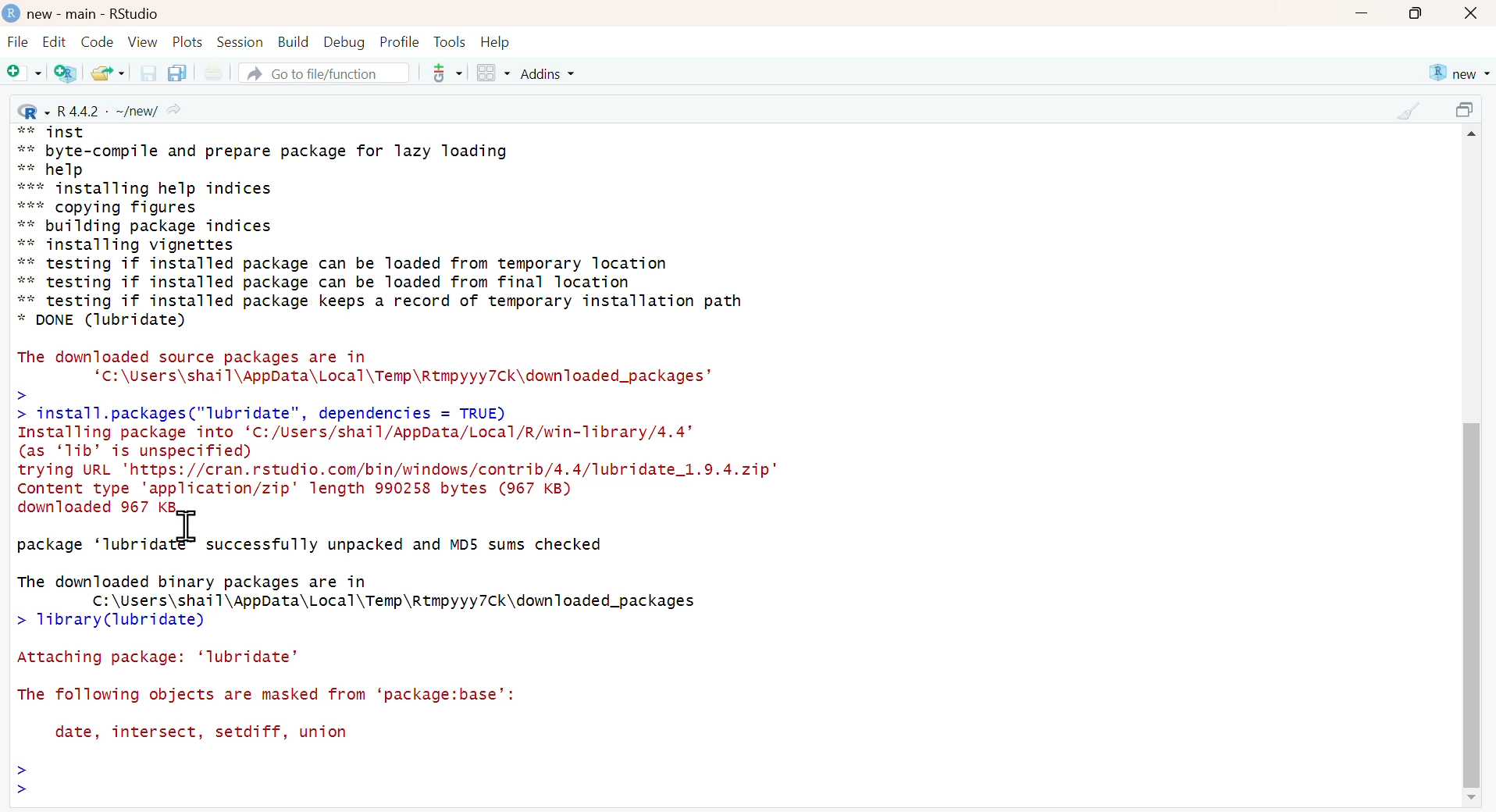 This screenshot has width=1496, height=812. Describe the element at coordinates (188, 41) in the screenshot. I see `Plots` at that location.